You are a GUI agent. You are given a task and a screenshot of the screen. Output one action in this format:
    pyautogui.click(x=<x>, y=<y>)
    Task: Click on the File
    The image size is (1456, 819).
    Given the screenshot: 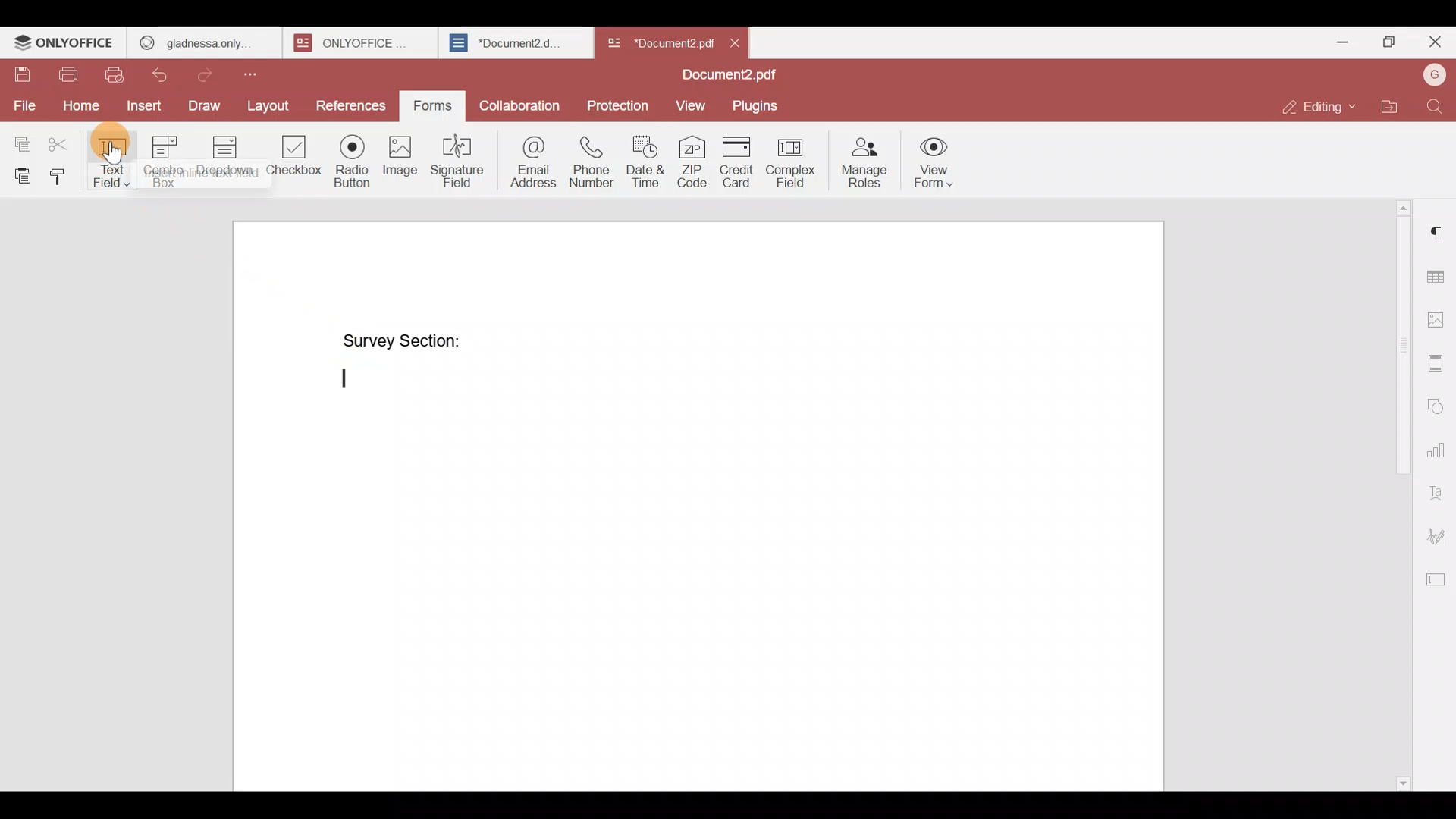 What is the action you would take?
    pyautogui.click(x=24, y=105)
    